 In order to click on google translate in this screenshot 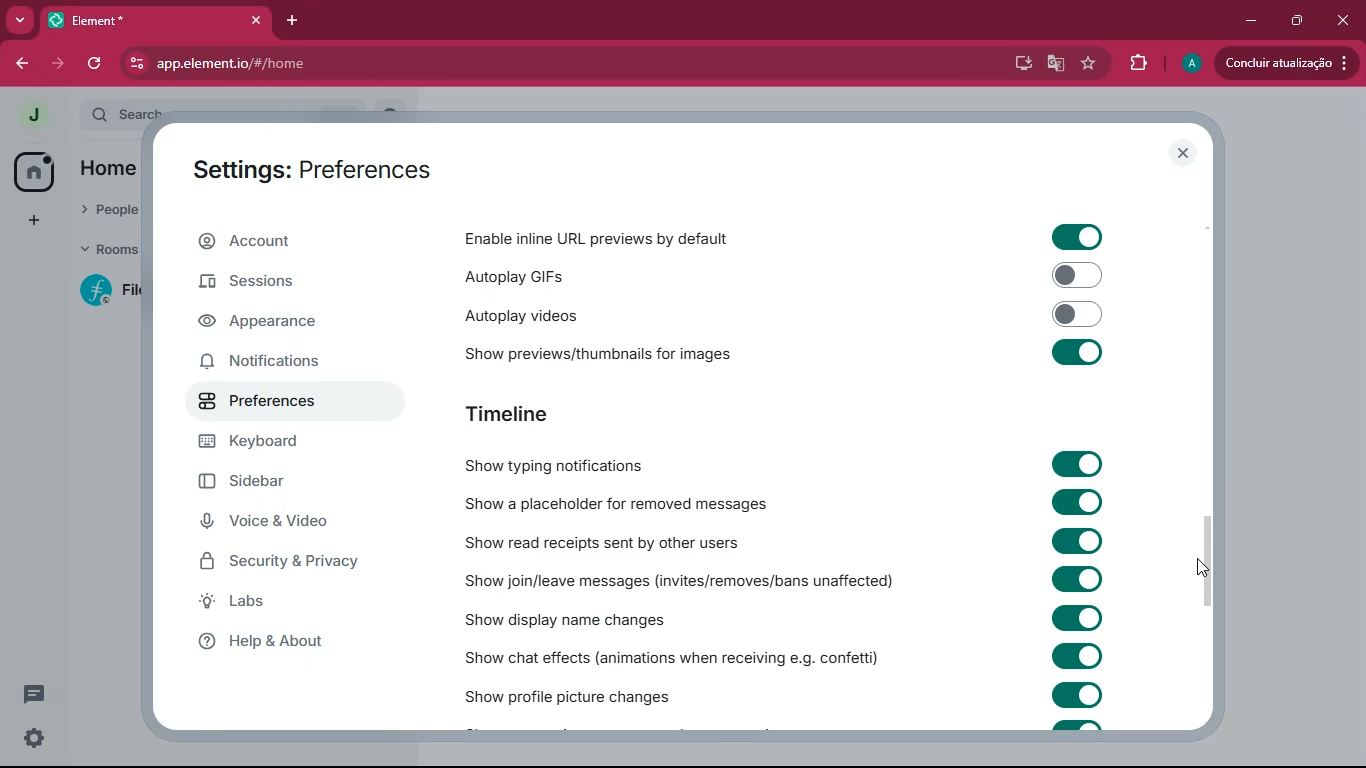, I will do `click(1054, 66)`.